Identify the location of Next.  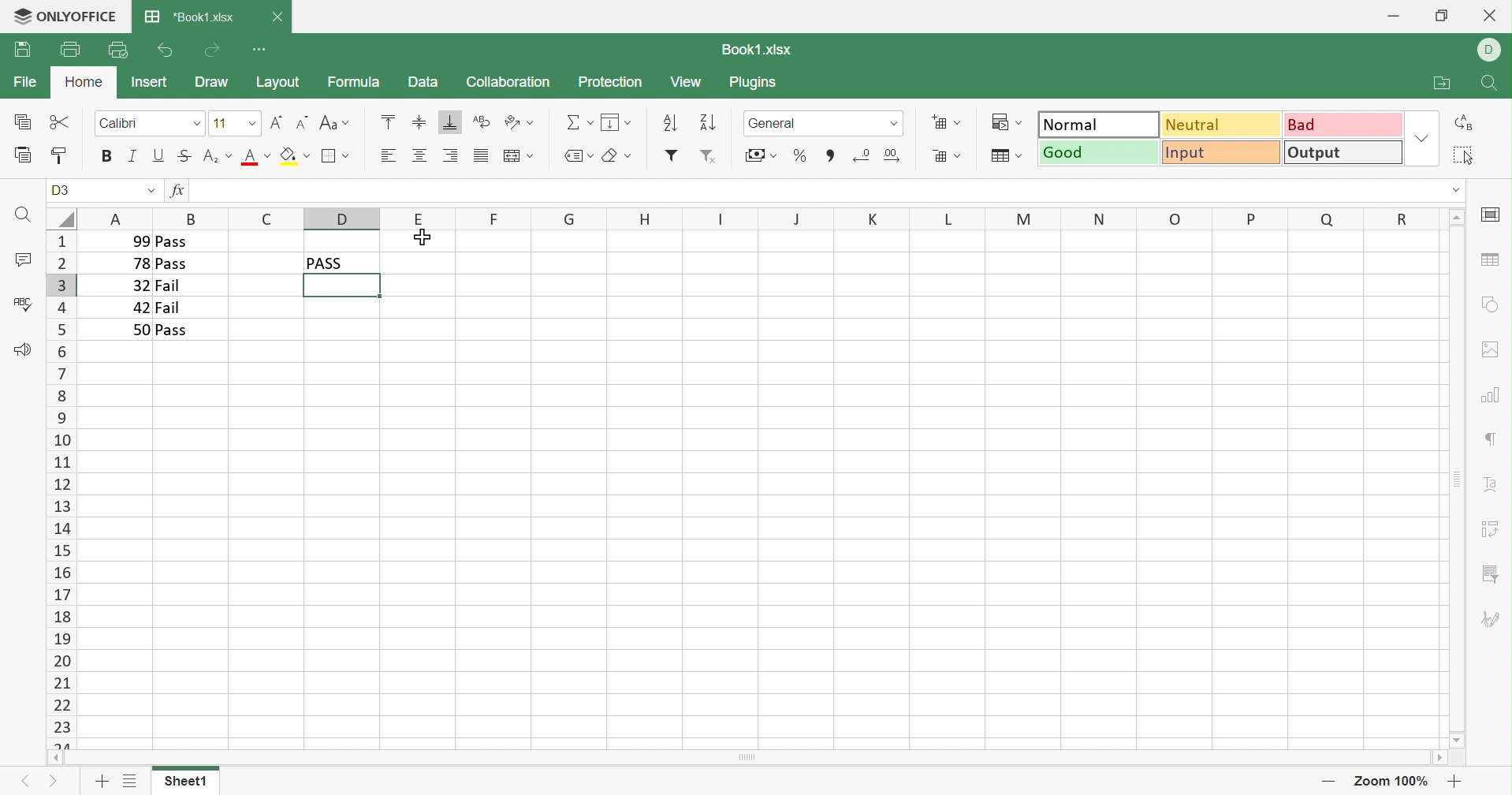
(57, 785).